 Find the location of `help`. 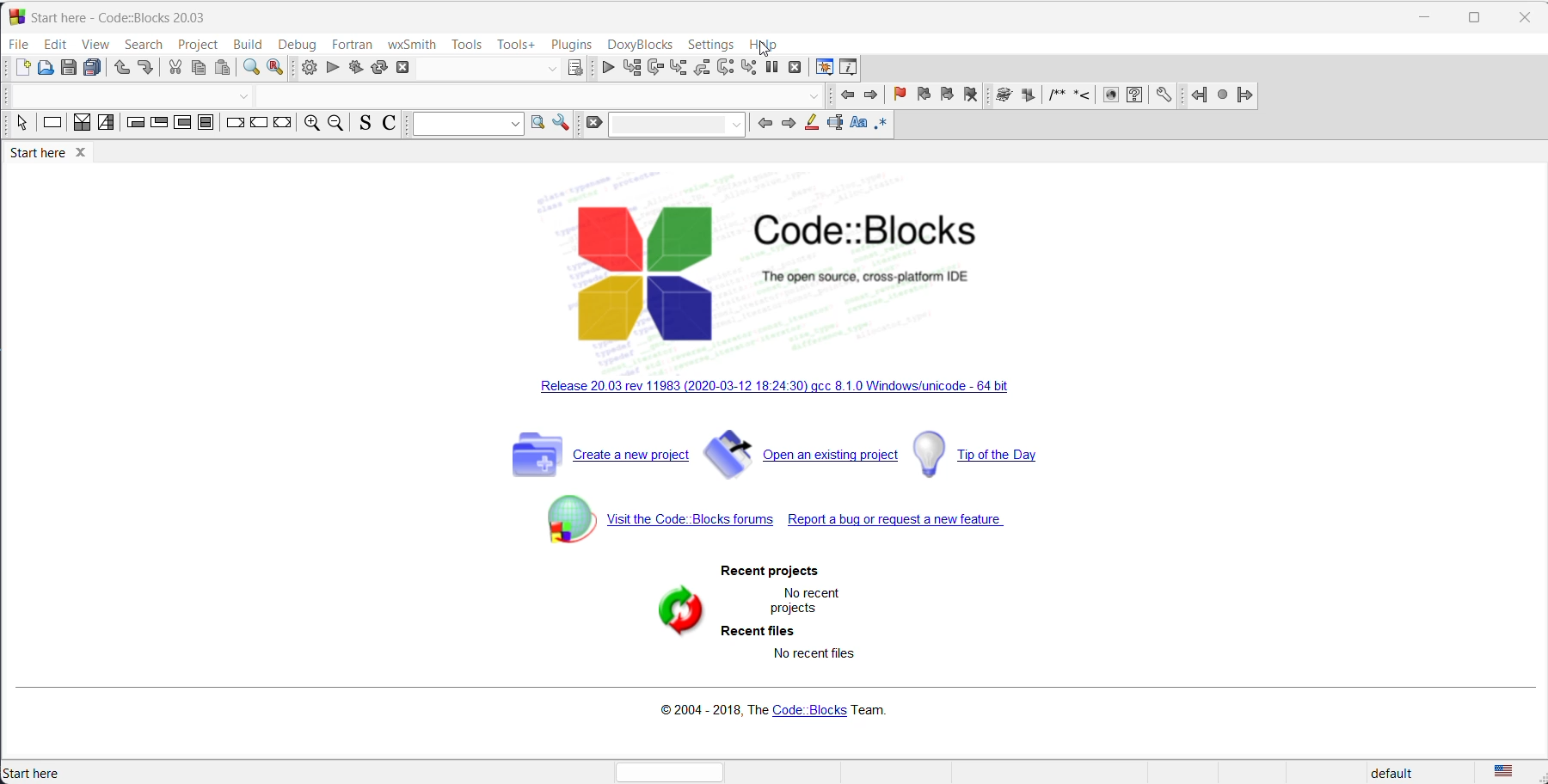

help is located at coordinates (764, 46).